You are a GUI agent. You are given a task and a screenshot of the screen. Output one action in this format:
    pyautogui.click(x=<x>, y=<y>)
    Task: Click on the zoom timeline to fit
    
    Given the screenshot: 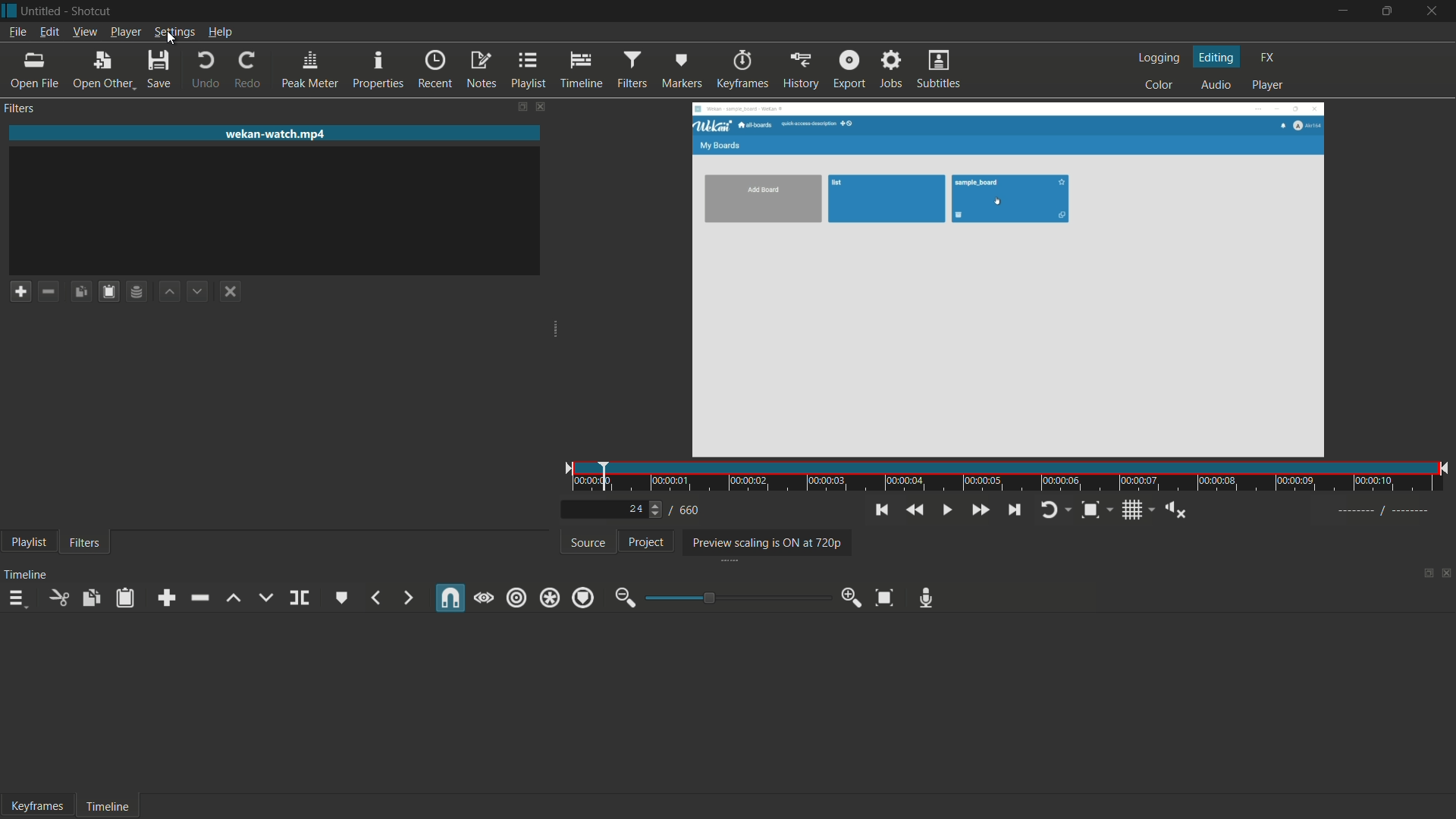 What is the action you would take?
    pyautogui.click(x=886, y=597)
    